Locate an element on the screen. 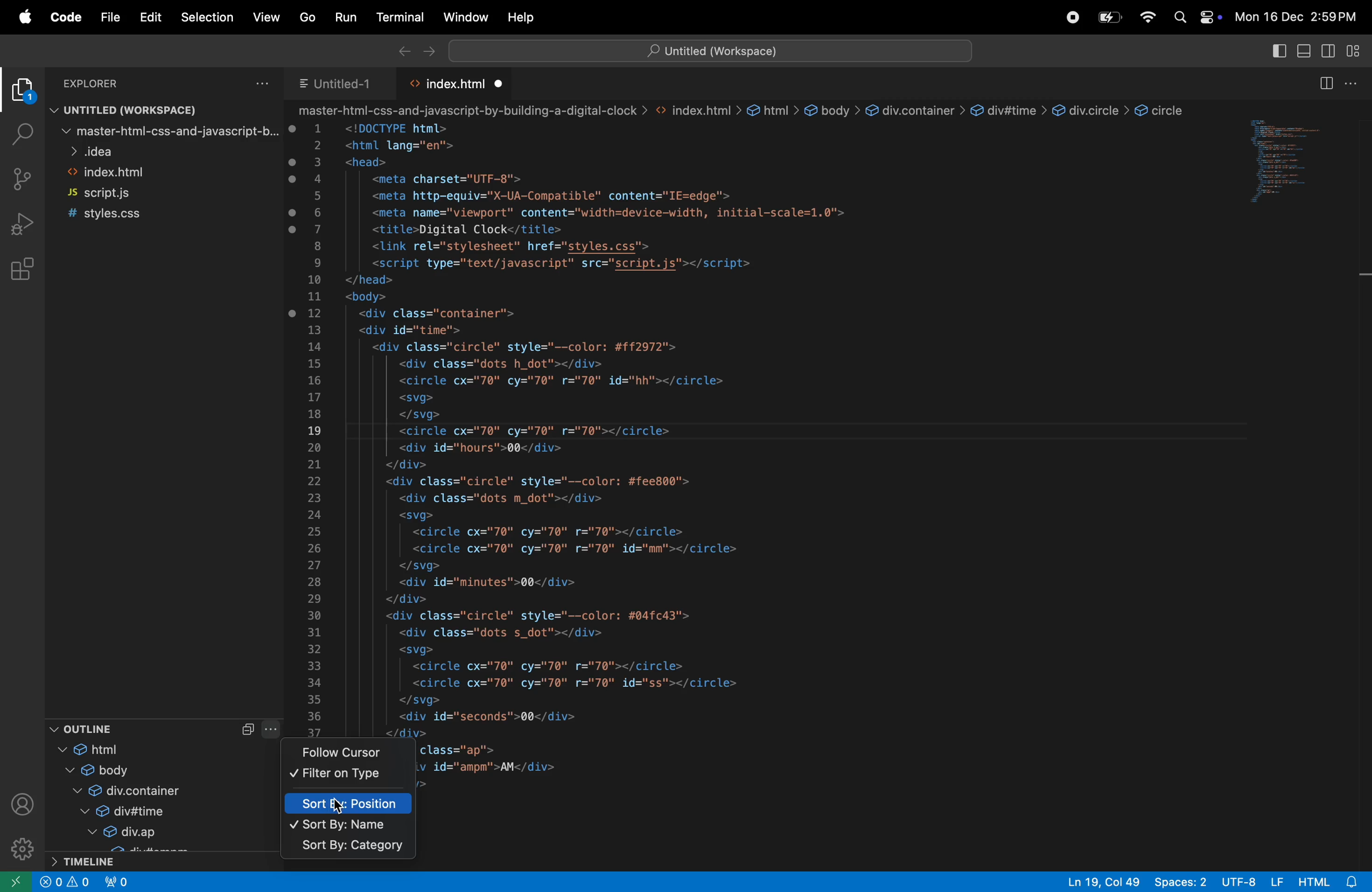  <html lang="en">
<head>
<meta charset="UTF-8">
<meta http-equiv="X-UA-Compatible" content="IE=edge">
<meta name="viewport" content="width=device-width, initial-scale=1.0">
<title>Digital Clock</title>
<link rel="stylesheet" href="styles.css">
<script type="text/javascript" src="script.js"></script>
</head>
<body>
<div class="container">
<div id="time">
<div class="circle" style="--color: #ff2972">
<div class="dots h_dot"></div>
<circle cx="70" cy="70" r="70" id="hh"></circle>
<svg>
</svg>
<circle cx="70" cy="70" r="70"></circle>
<div id="hours">00</div>
</div>
<div class="circle" style="--color: #fee800">
<div class="dots m_dot"></div>
<svg>
<circle cx="70" cy="70" r="70"></circle>
<circle cx="70" cy="70" r="70" id="mm"></circle>
</svg>
<div id="minutes">00</div>
</div>
<div class="circle" style="--color: #04fc43">
<div class="dots s_dot"></div>
<svg>
<circle cx="70" cy="70" r="70"></circle>
<circle cx="70" cy="70" r="70" id="ss"></circle>
</svg>
<div id="seconds">00</div>
</div>
<div class="ap">
<div id="ampm">AM</div>
</div>
</div>
</div>
</body>
</html> is located at coordinates (612, 428).